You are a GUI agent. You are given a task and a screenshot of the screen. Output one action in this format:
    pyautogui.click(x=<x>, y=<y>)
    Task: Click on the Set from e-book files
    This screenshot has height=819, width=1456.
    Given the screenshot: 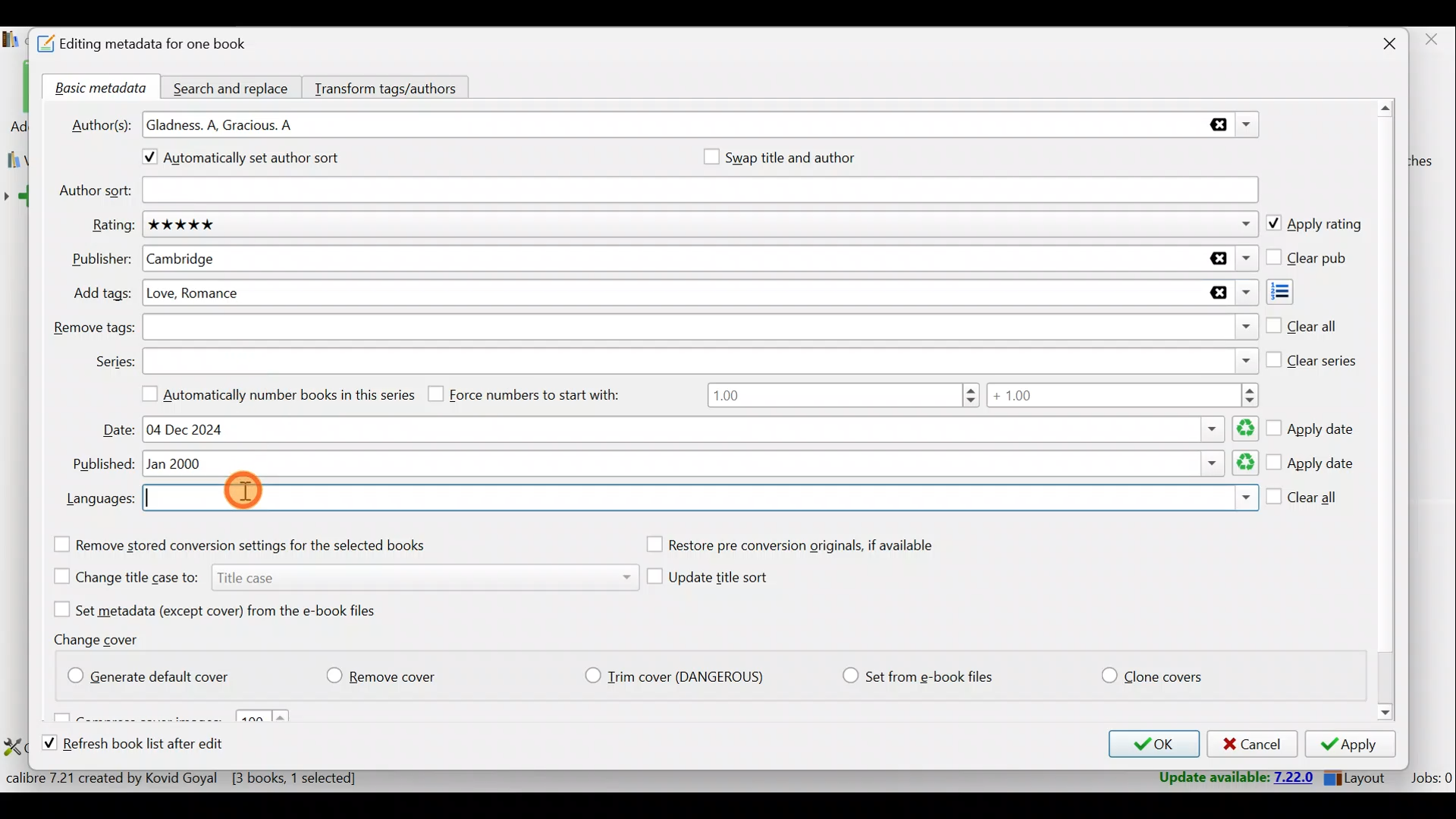 What is the action you would take?
    pyautogui.click(x=917, y=676)
    